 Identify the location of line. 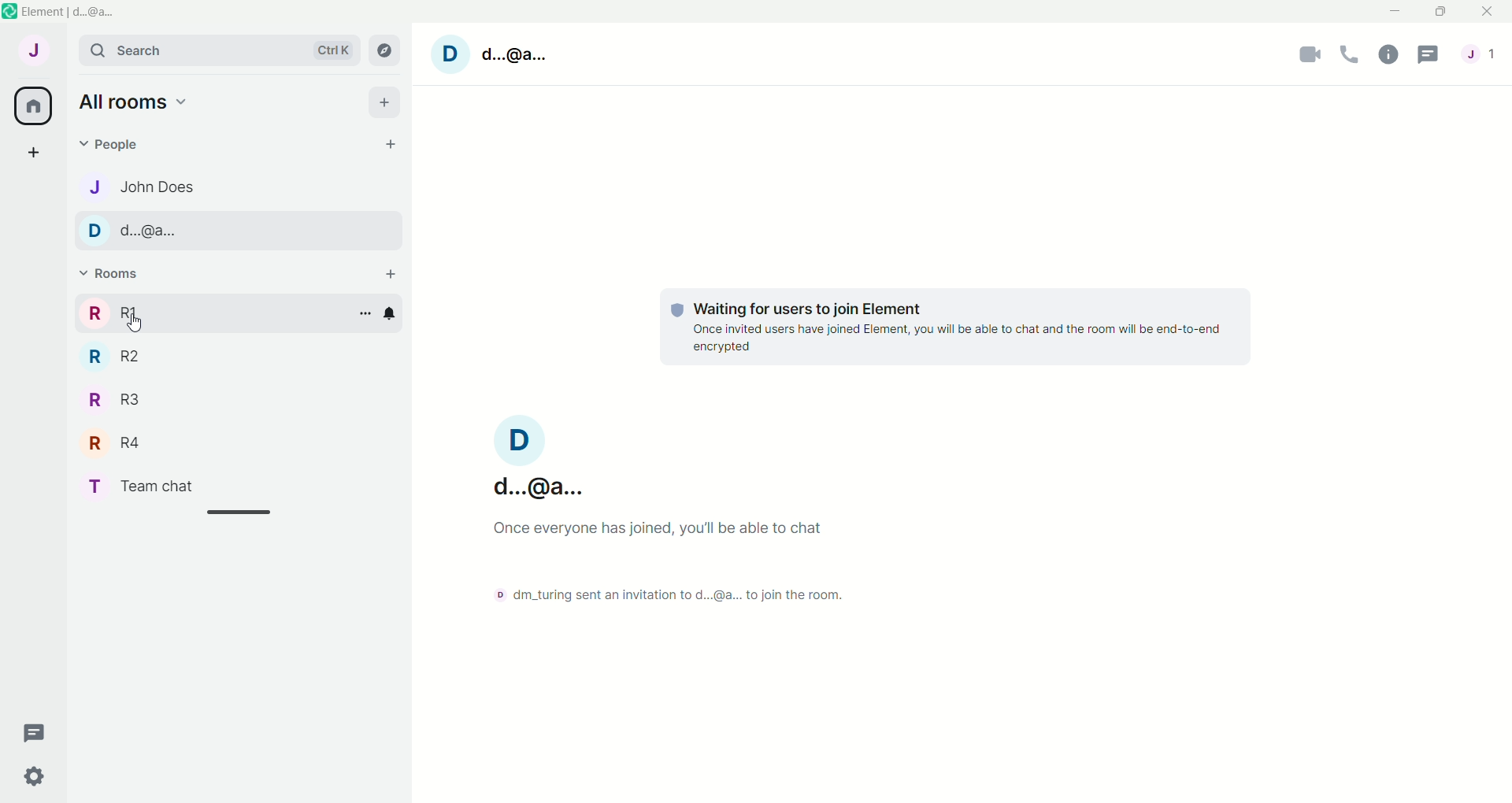
(243, 516).